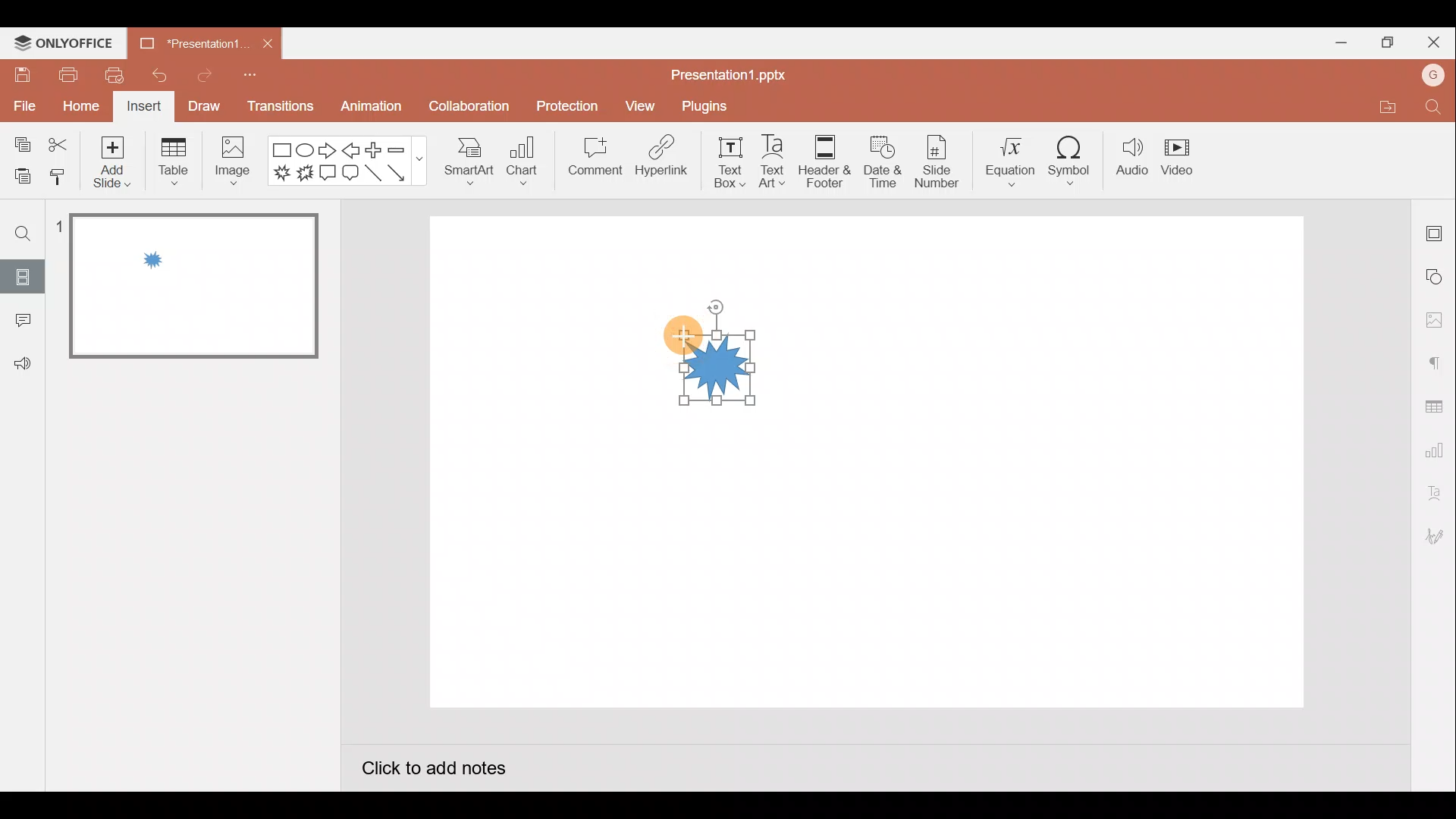  Describe the element at coordinates (306, 177) in the screenshot. I see `Explosion 2` at that location.